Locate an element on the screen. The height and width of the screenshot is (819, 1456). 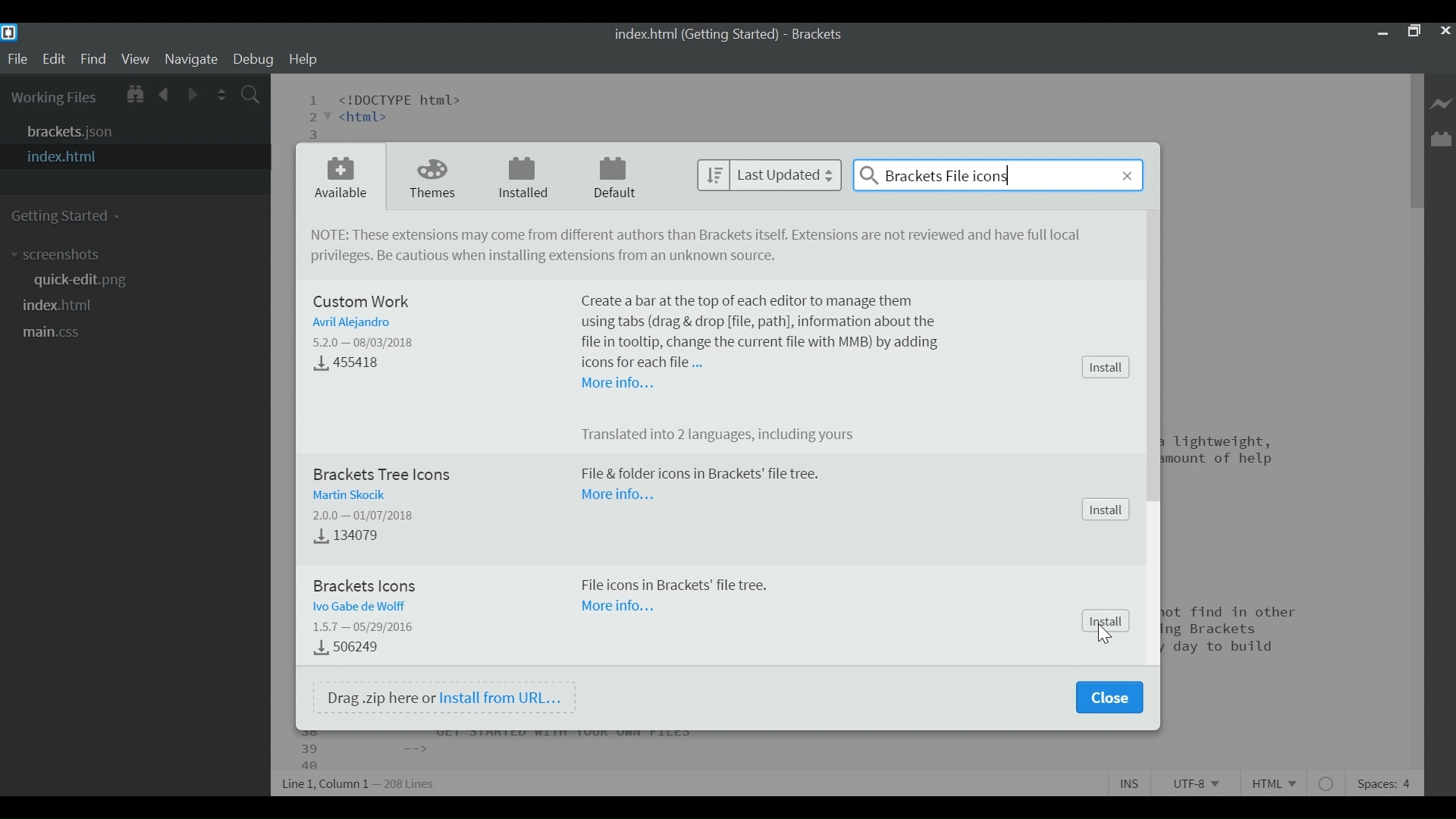
minimize is located at coordinates (1382, 33).